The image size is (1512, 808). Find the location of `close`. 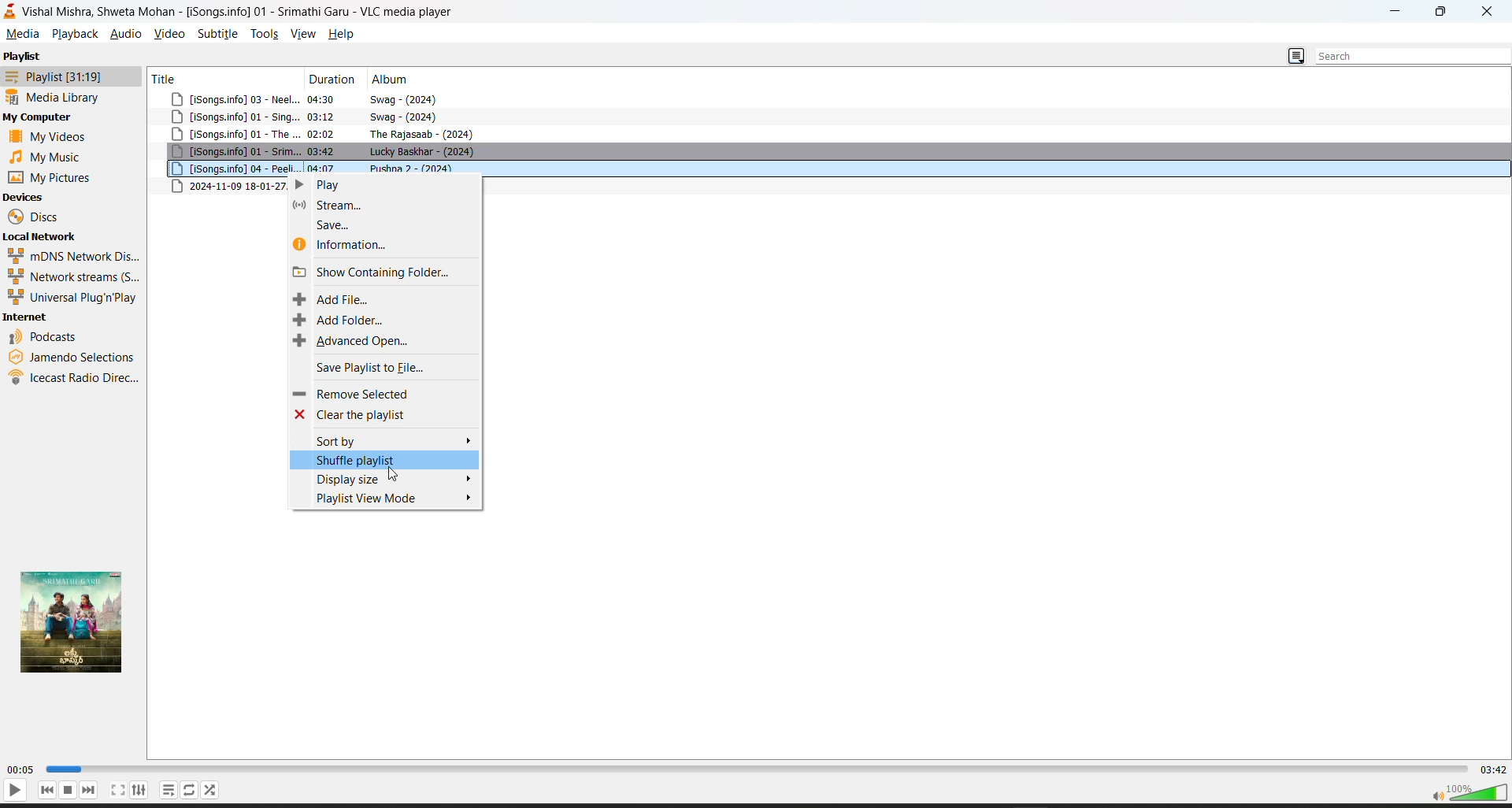

close is located at coordinates (1487, 10).